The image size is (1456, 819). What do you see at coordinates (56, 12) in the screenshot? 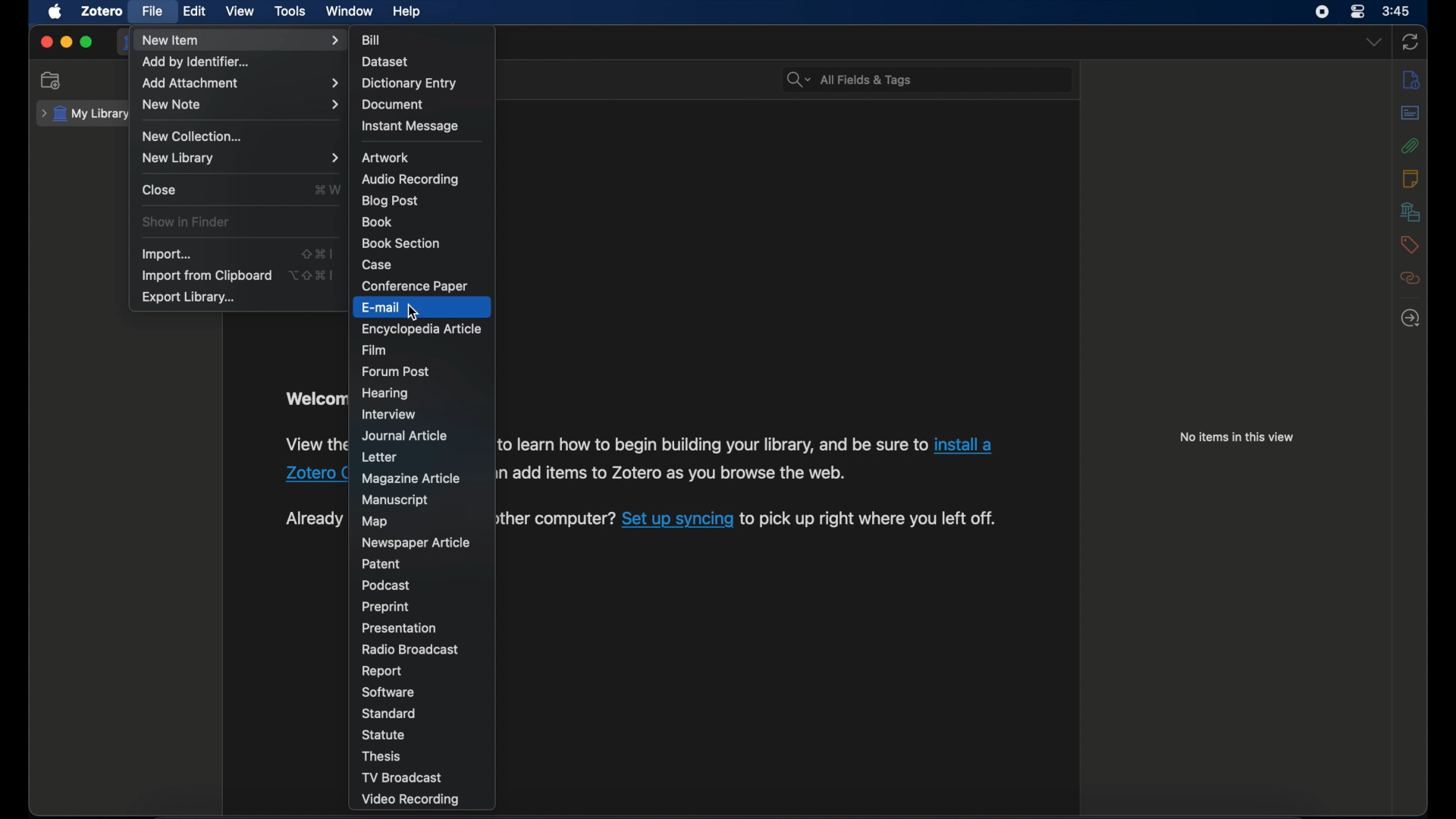
I see `apple` at bounding box center [56, 12].